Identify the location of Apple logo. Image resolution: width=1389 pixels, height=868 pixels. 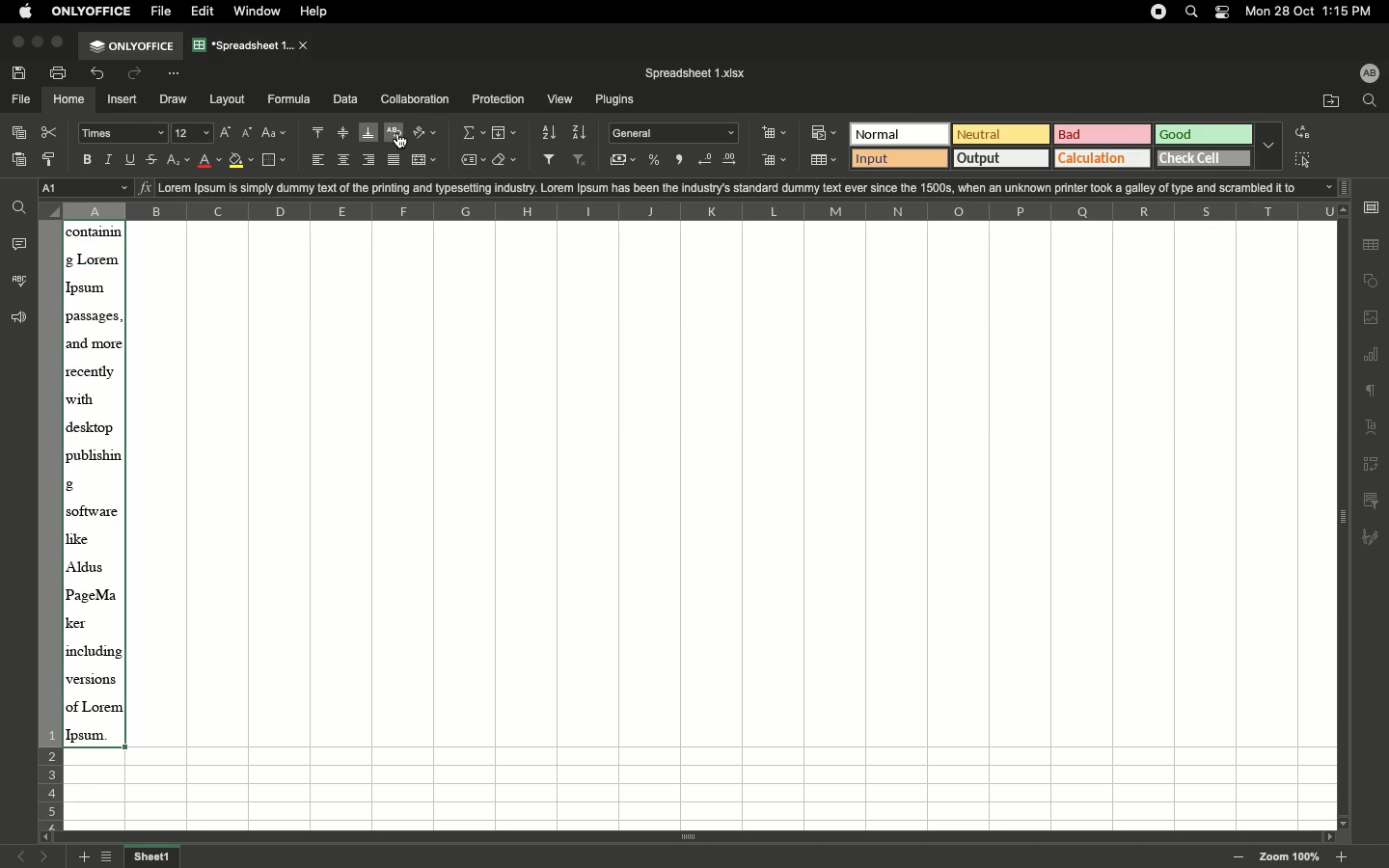
(27, 13).